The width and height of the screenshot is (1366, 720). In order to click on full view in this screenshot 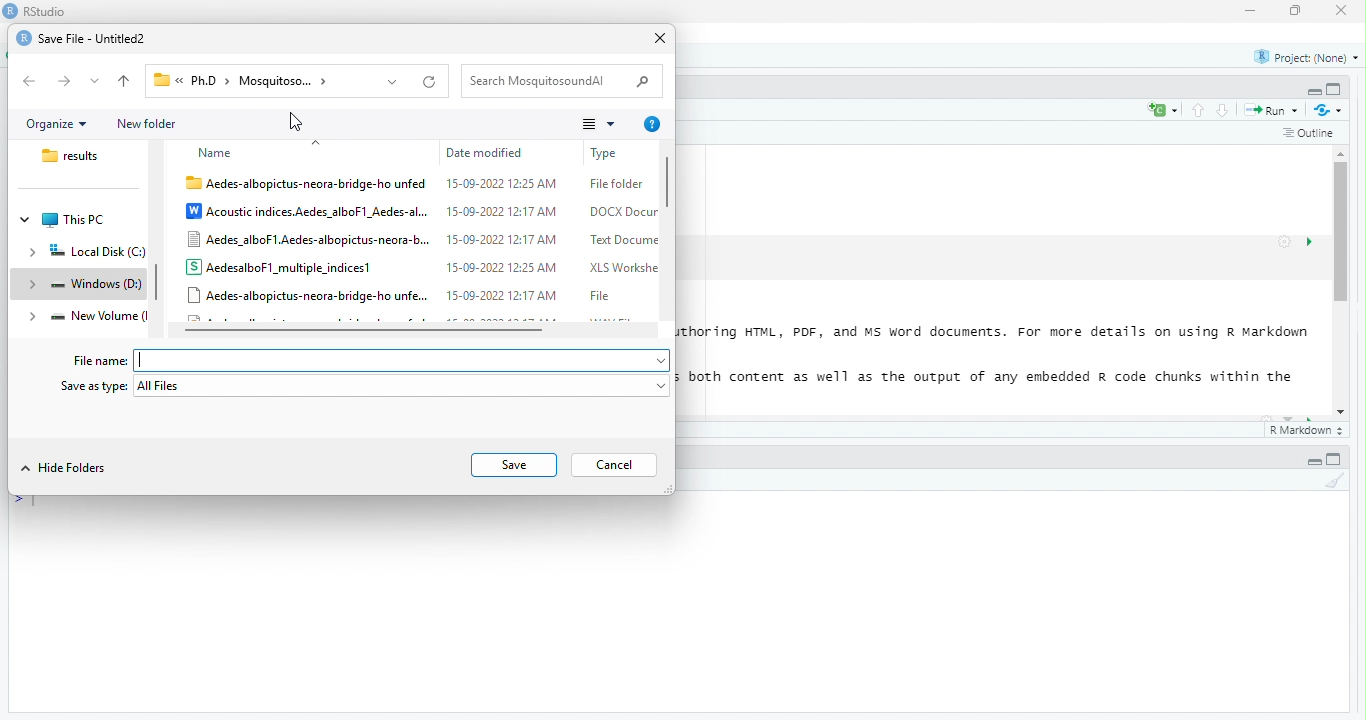, I will do `click(1334, 89)`.